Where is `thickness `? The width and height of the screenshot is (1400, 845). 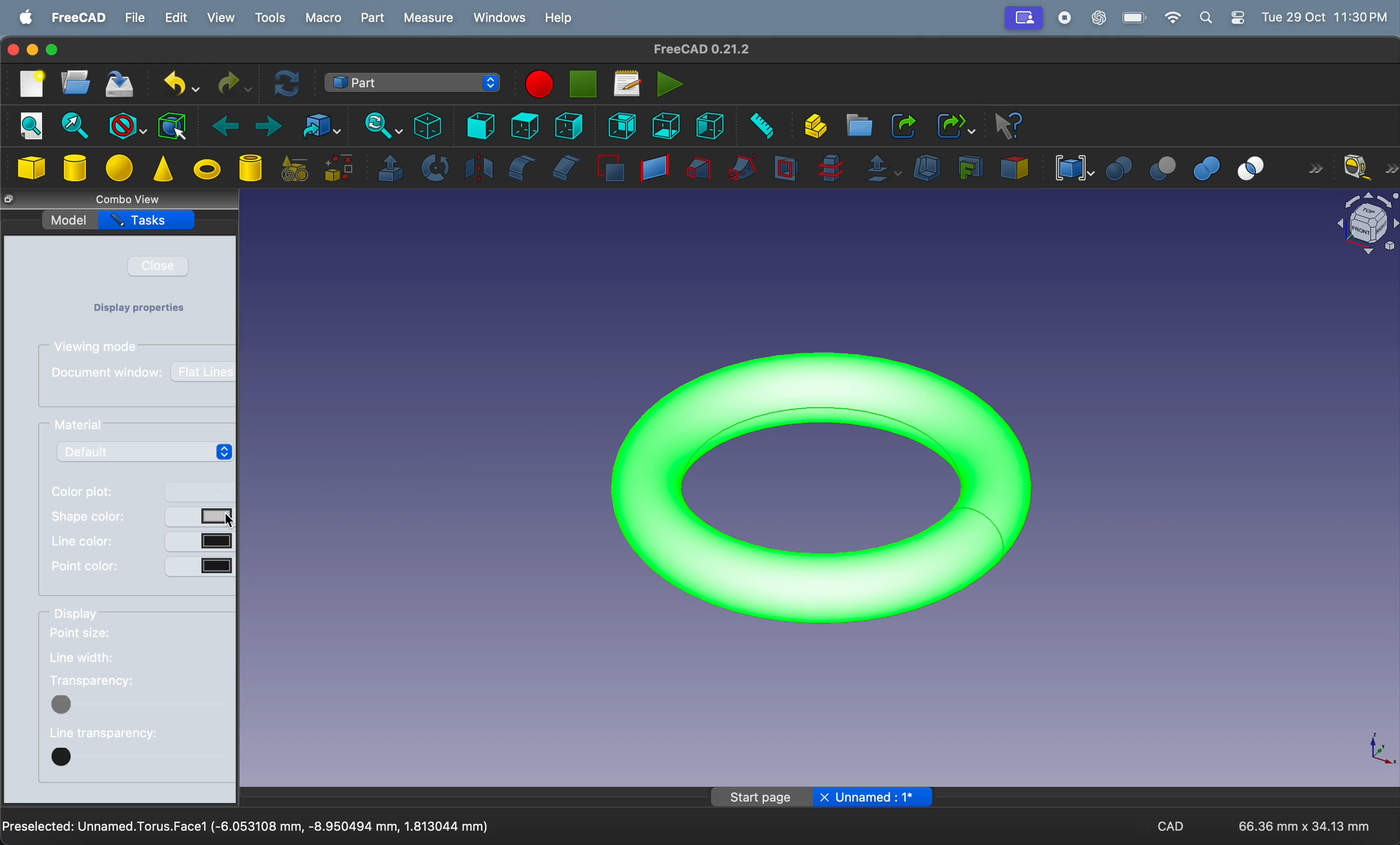 thickness  is located at coordinates (927, 167).